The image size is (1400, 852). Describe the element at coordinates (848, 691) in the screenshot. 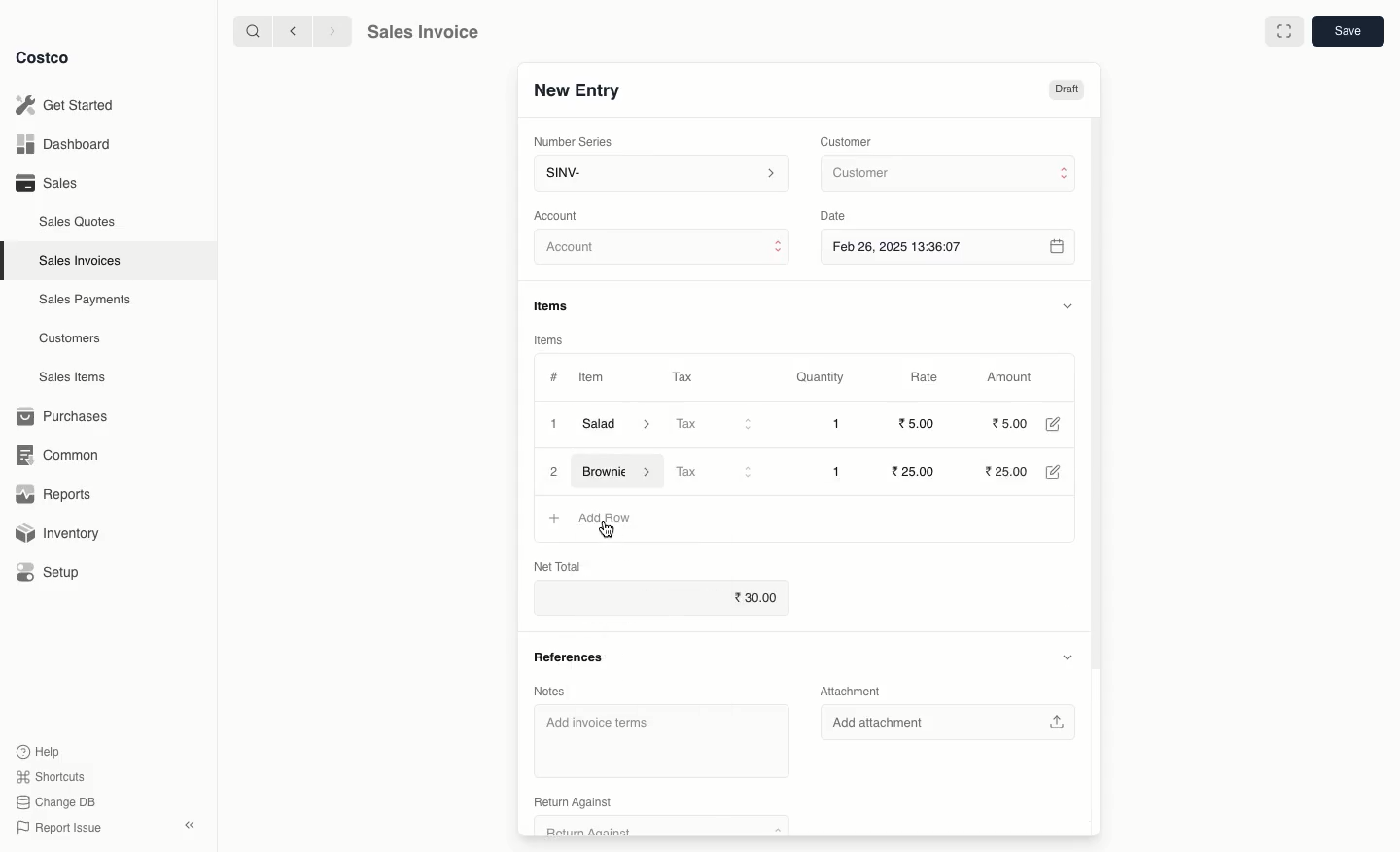

I see `Attachment` at that location.